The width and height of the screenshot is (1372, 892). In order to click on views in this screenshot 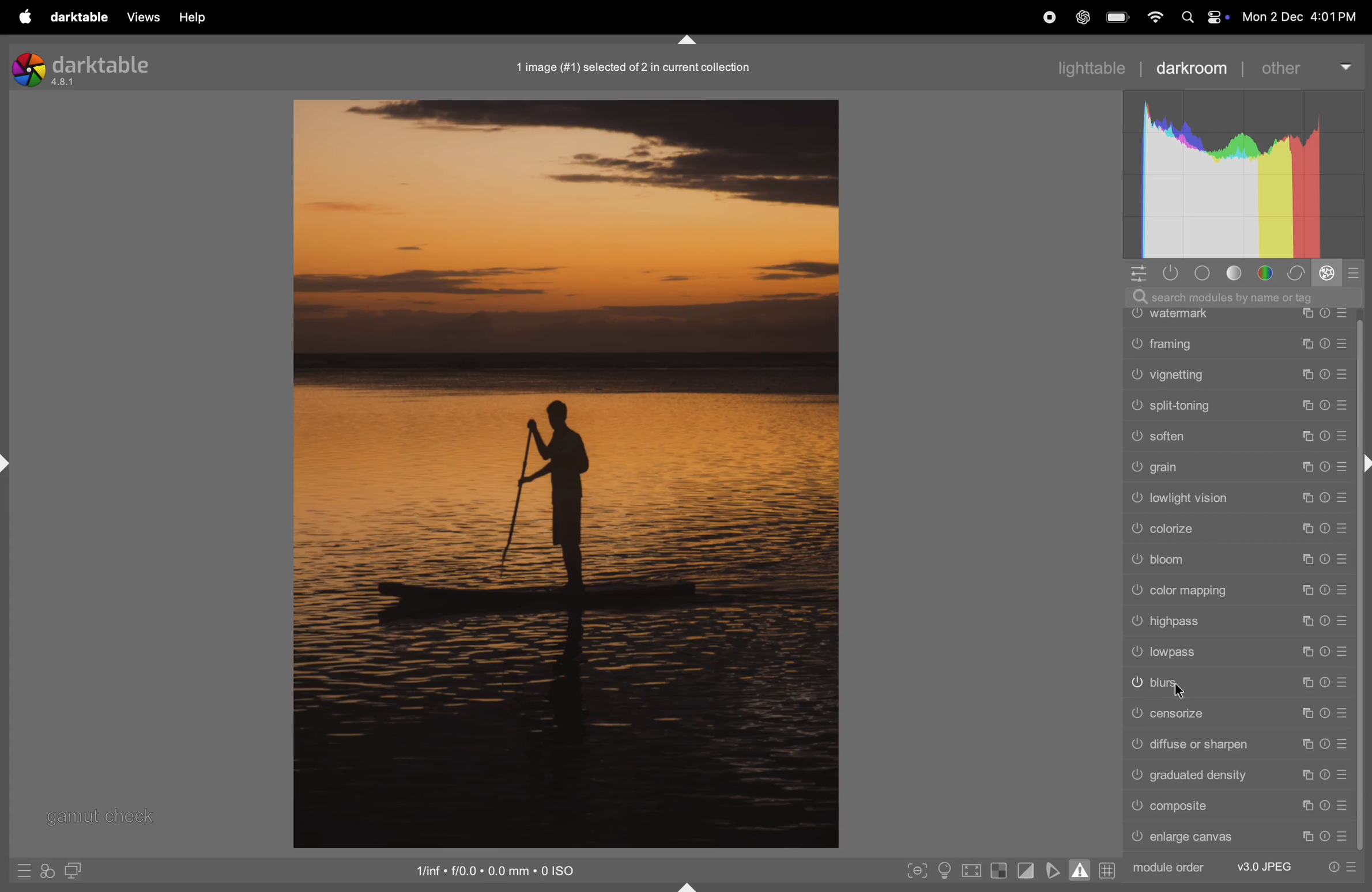, I will do `click(142, 17)`.